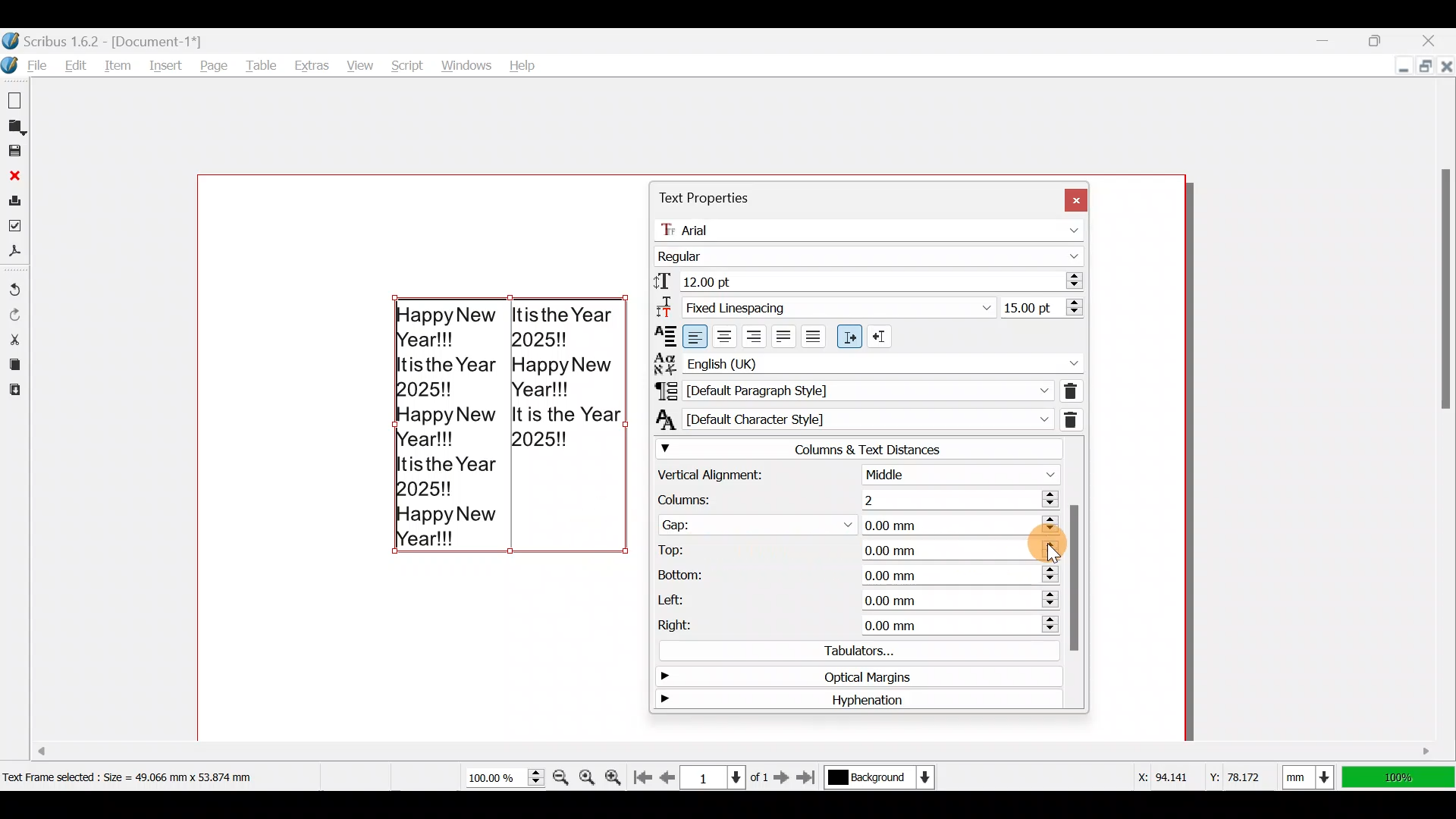  What do you see at coordinates (77, 65) in the screenshot?
I see `Edit` at bounding box center [77, 65].